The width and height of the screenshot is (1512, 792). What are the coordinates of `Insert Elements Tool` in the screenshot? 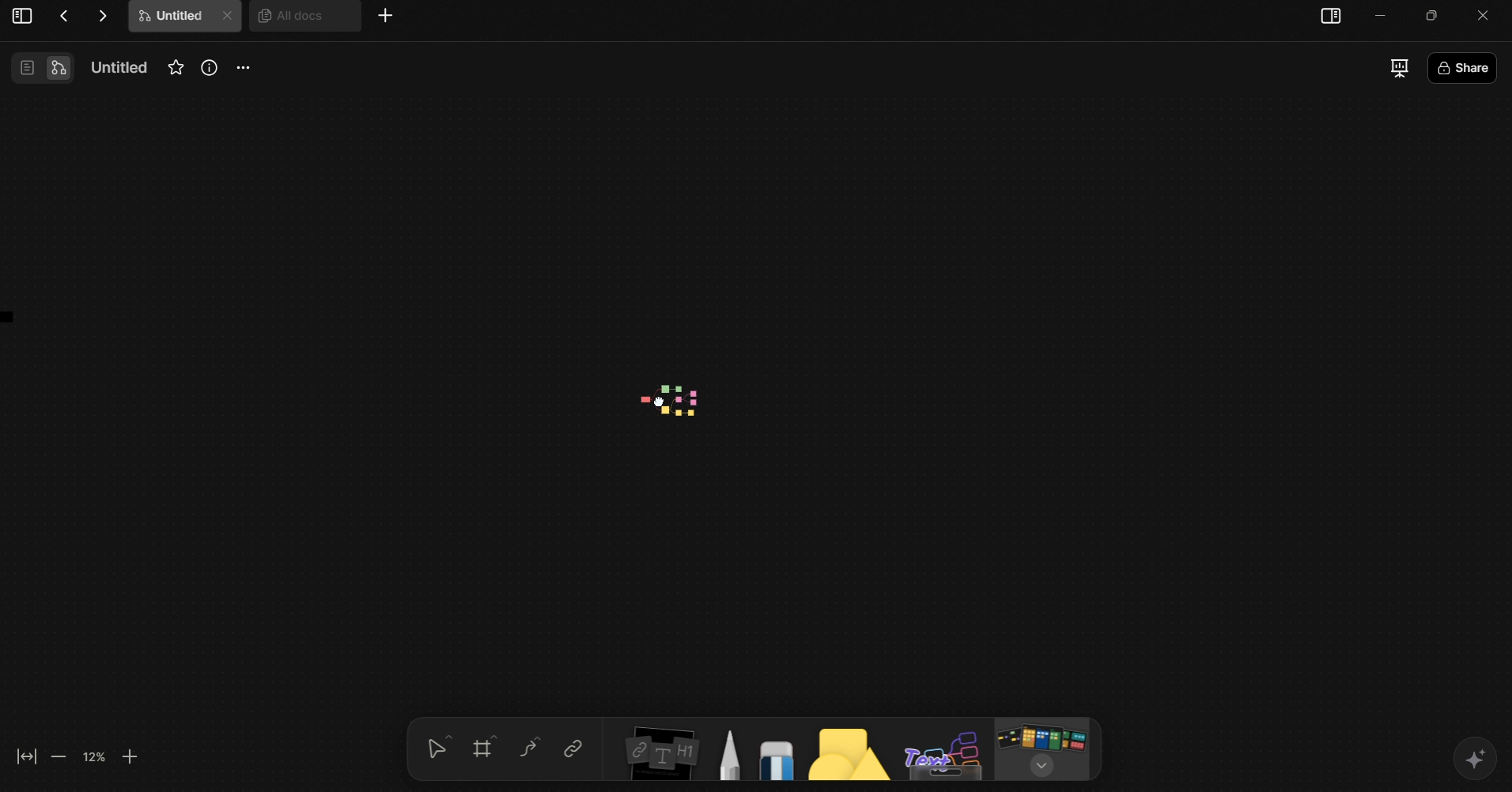 It's located at (659, 756).